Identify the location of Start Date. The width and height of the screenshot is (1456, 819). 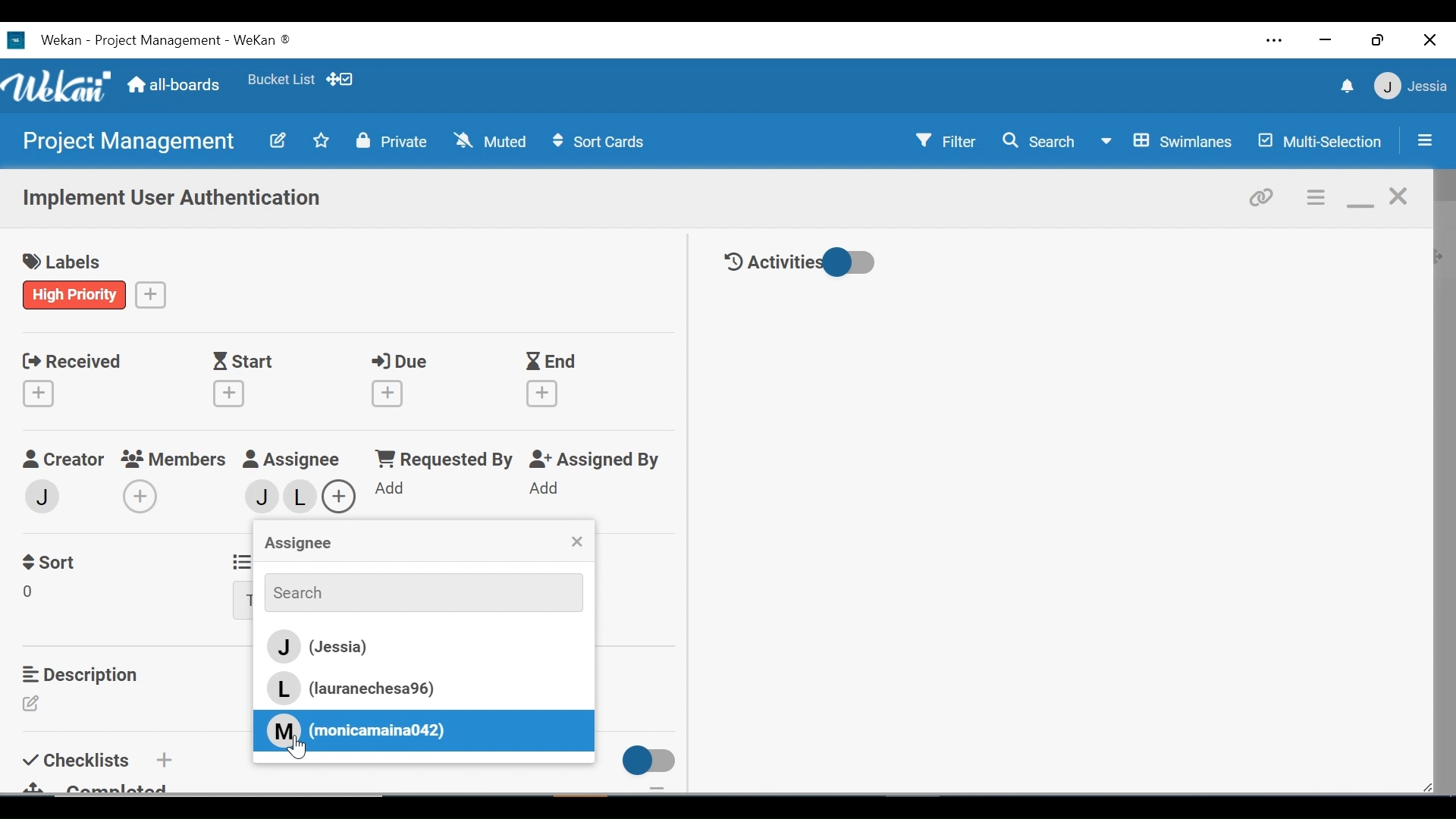
(246, 362).